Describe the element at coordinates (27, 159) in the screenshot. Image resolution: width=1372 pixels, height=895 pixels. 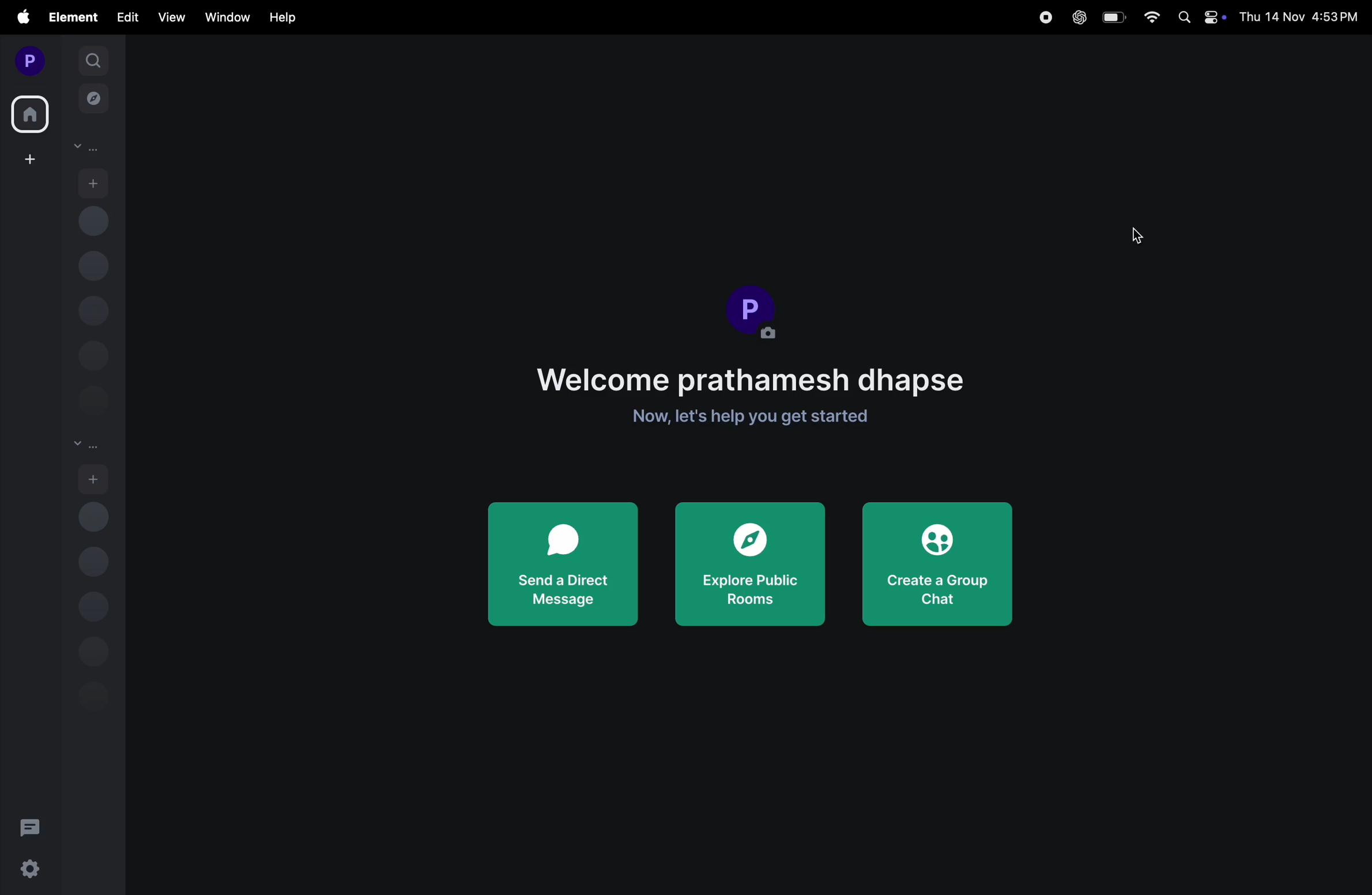
I see `create workspace` at that location.